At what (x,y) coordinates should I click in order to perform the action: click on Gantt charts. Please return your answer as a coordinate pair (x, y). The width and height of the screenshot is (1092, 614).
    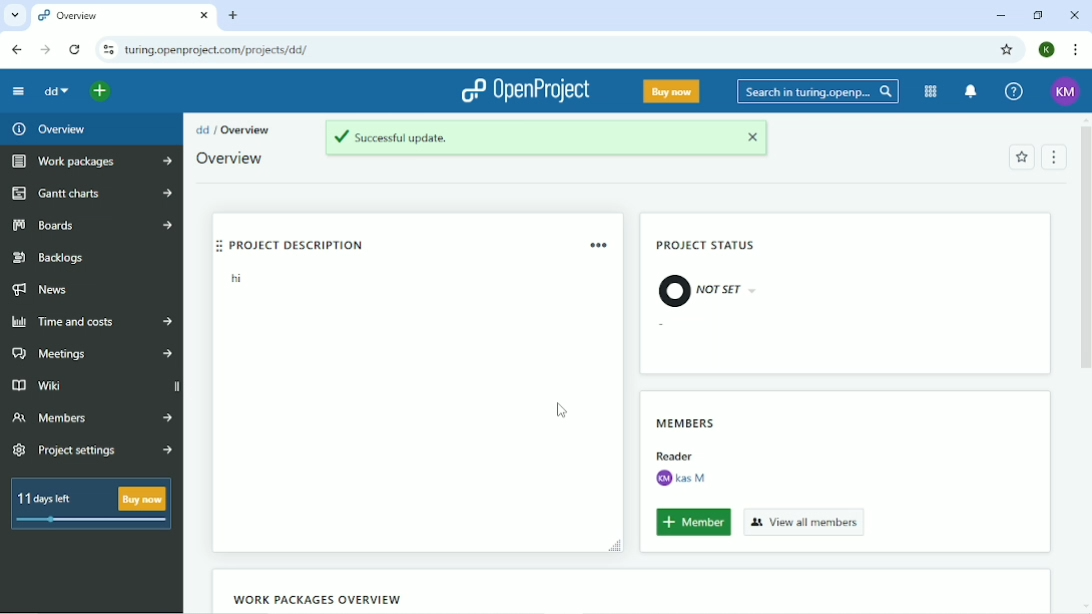
    Looking at the image, I should click on (90, 194).